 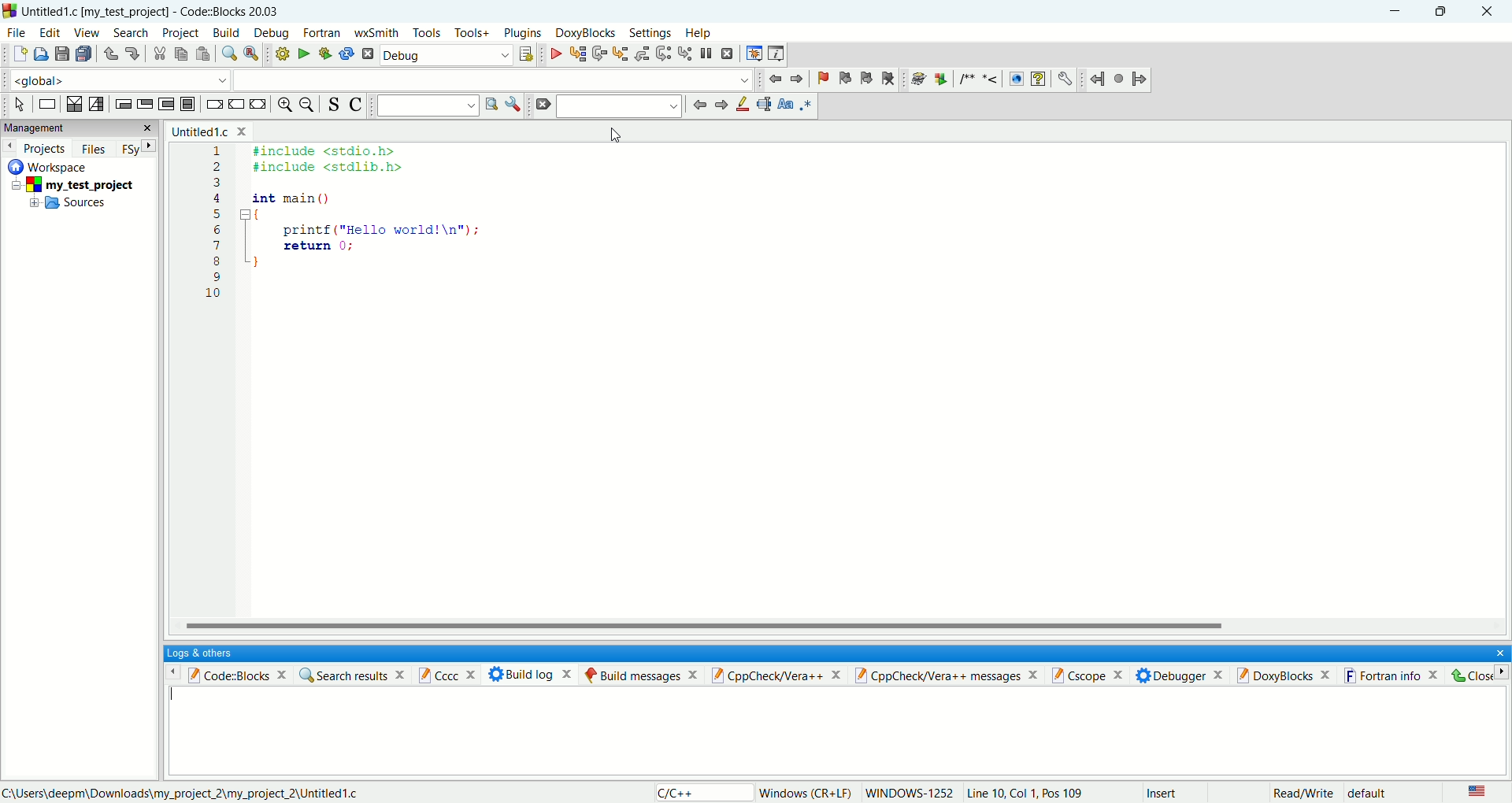 What do you see at coordinates (495, 79) in the screenshot?
I see `blank space` at bounding box center [495, 79].